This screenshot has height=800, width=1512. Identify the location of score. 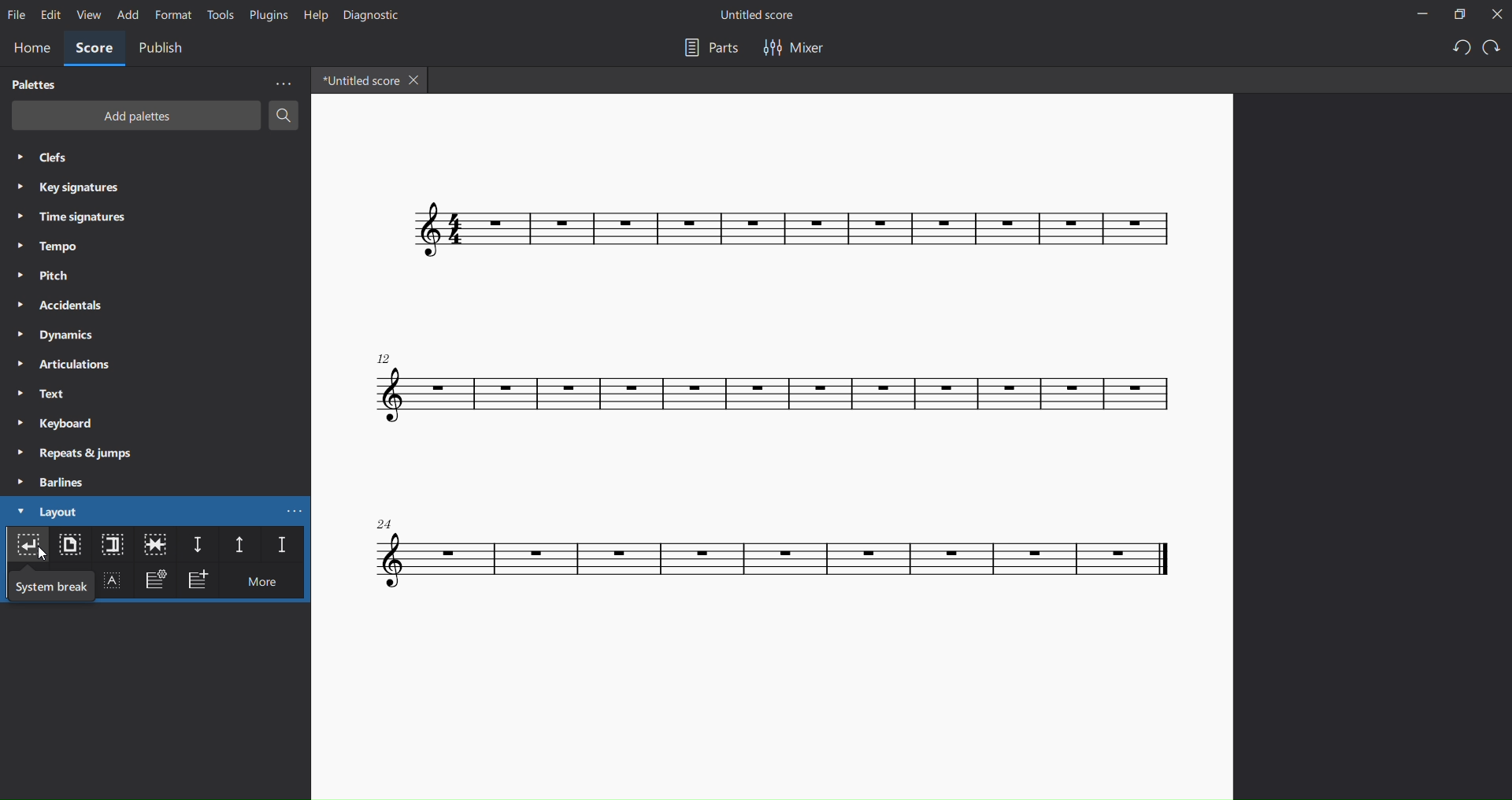
(783, 230).